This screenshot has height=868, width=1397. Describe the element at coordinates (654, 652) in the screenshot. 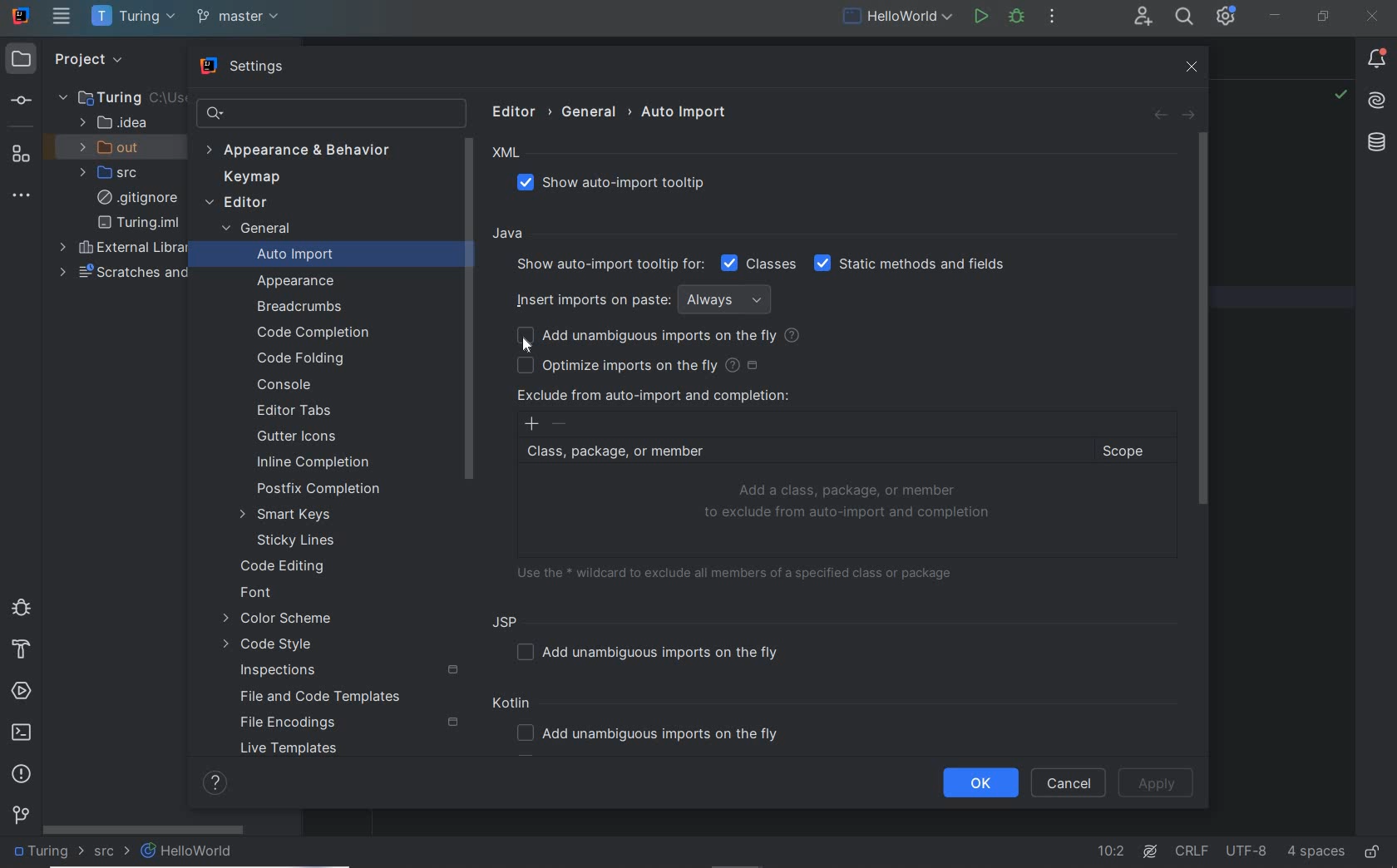

I see `ADD UNAMBIGUOUS IMPORTS ON THE FLY` at that location.